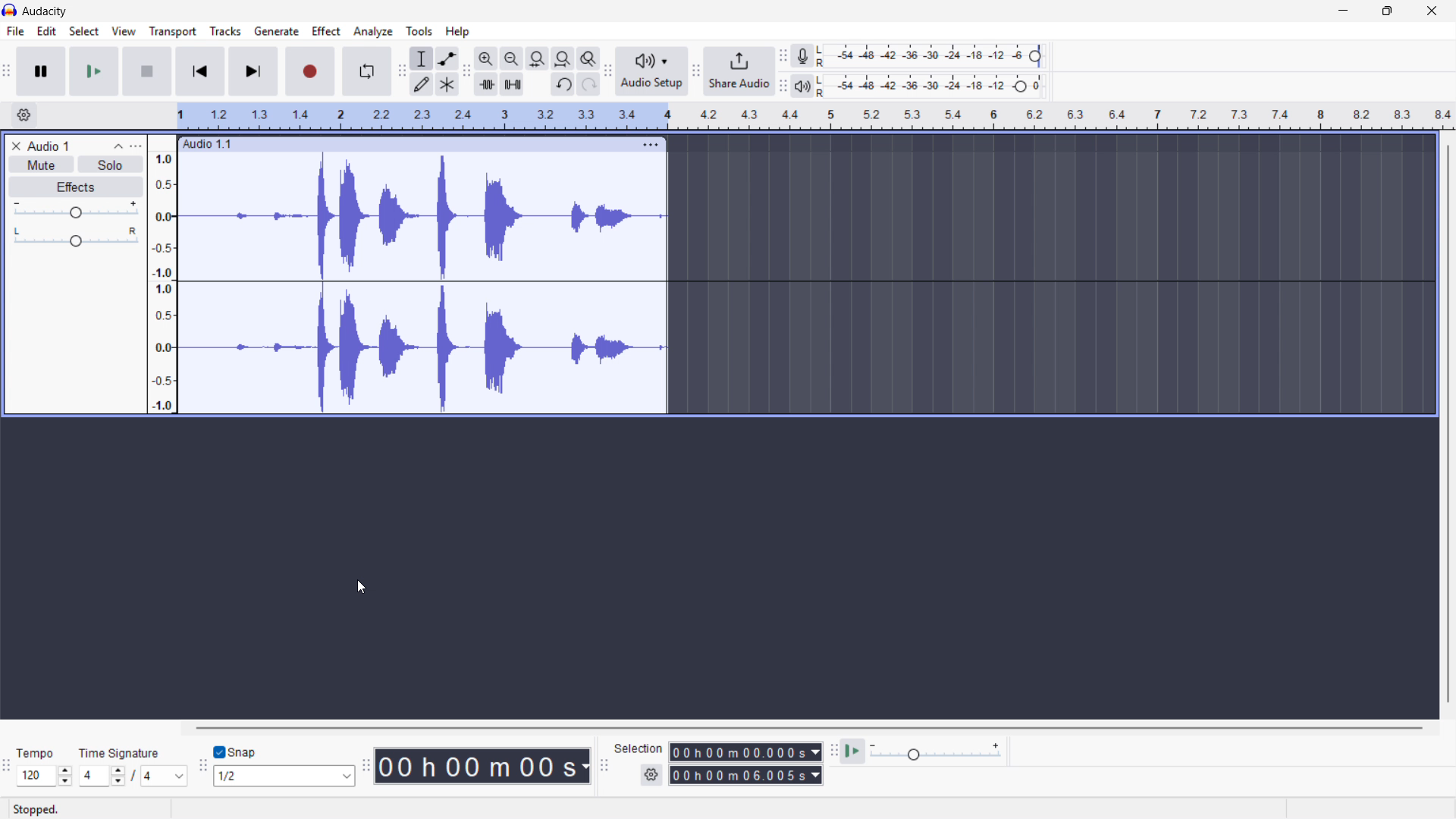 This screenshot has width=1456, height=819. What do you see at coordinates (1432, 11) in the screenshot?
I see `Close` at bounding box center [1432, 11].